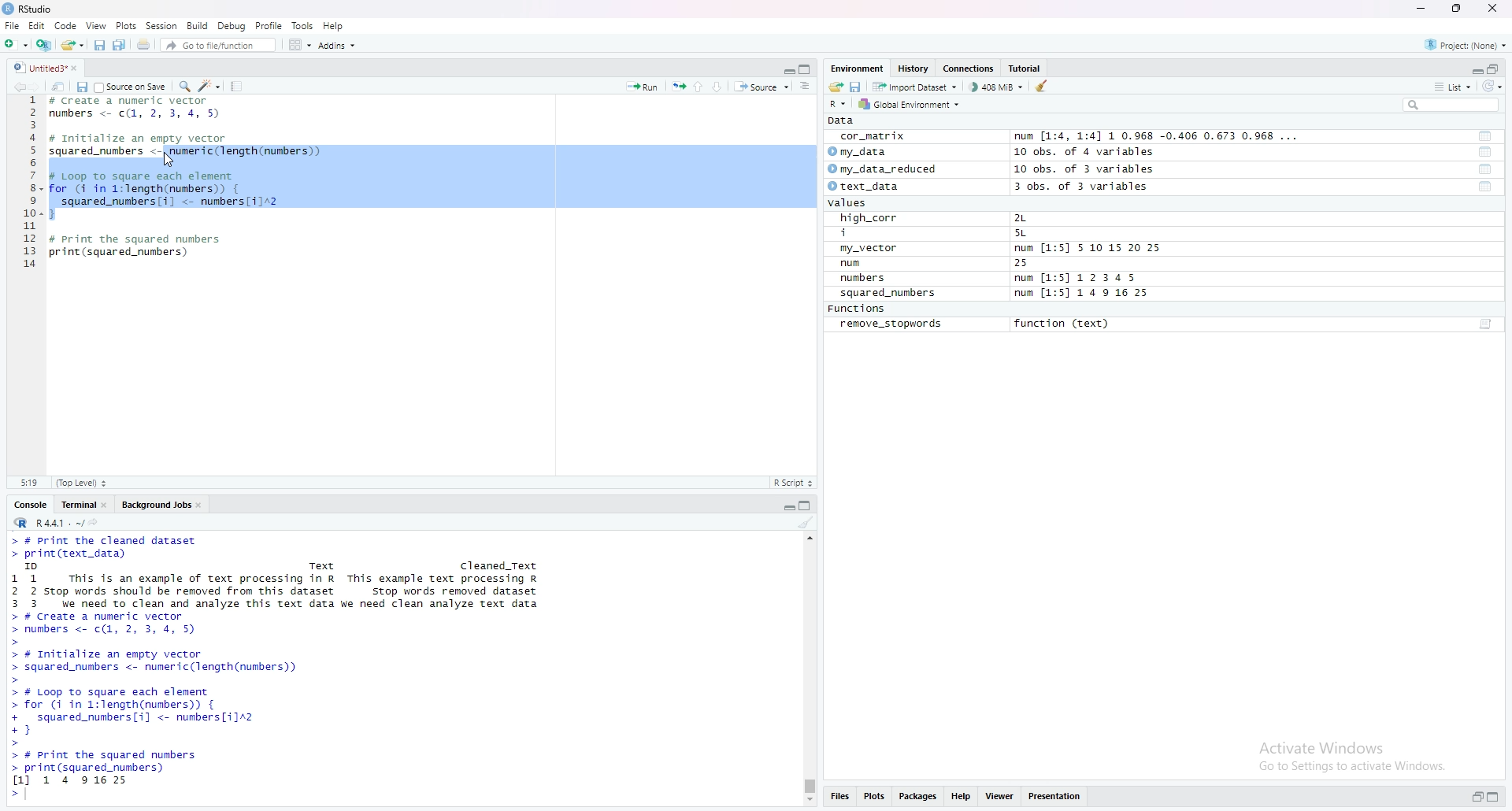 This screenshot has height=811, width=1512. What do you see at coordinates (856, 86) in the screenshot?
I see `save workspace` at bounding box center [856, 86].